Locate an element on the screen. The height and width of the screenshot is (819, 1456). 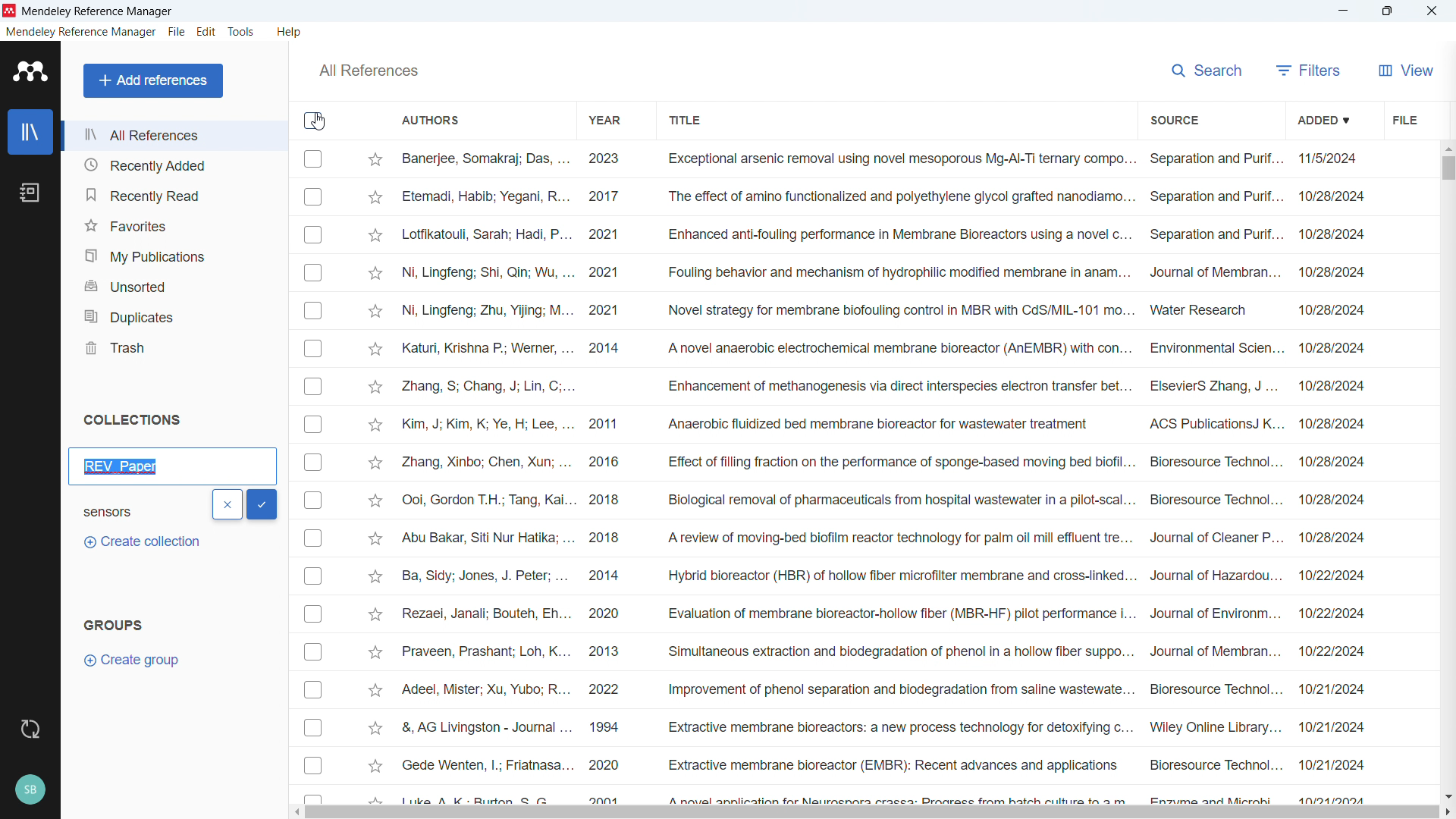
Search  is located at coordinates (1207, 68).